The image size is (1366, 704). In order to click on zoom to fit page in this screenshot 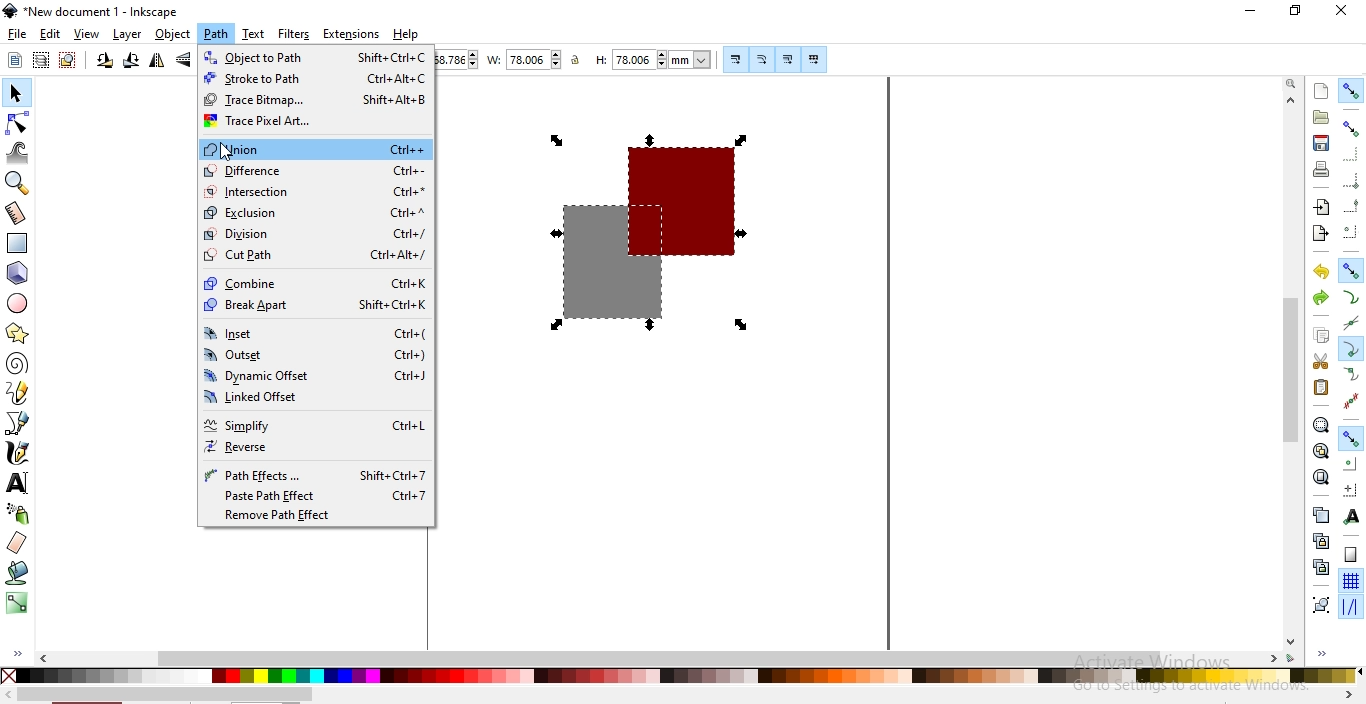, I will do `click(1321, 477)`.